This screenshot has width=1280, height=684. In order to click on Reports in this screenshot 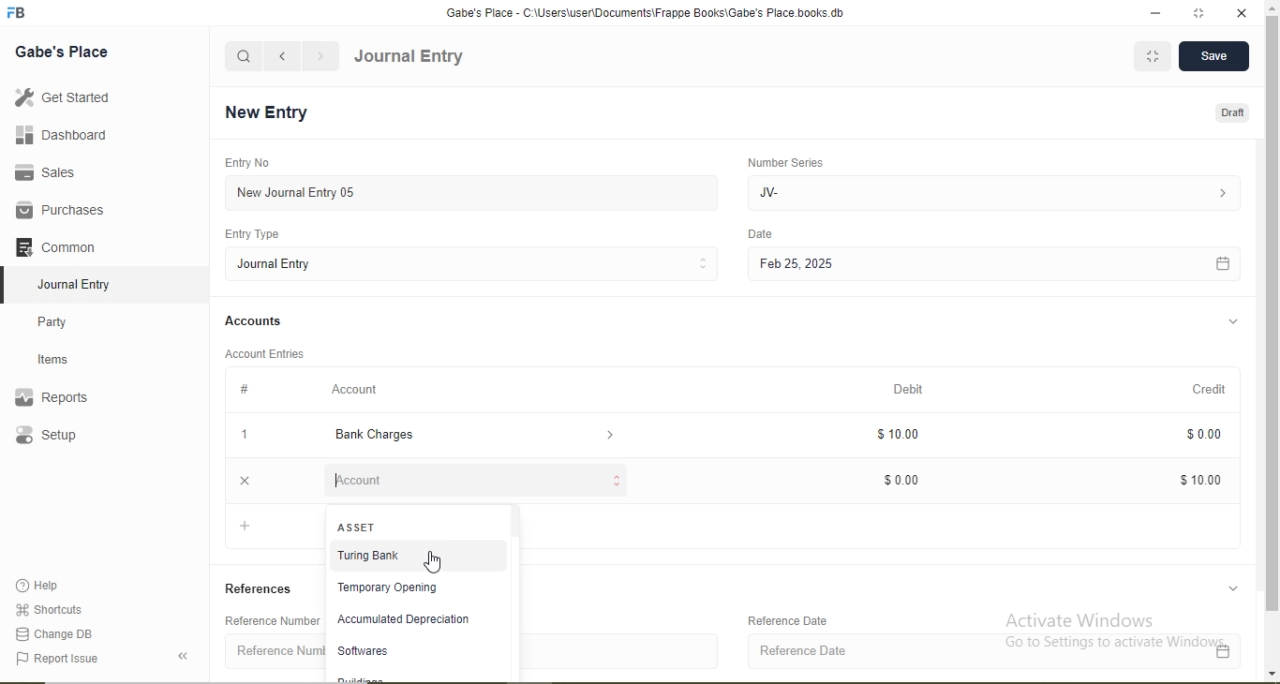, I will do `click(61, 398)`.